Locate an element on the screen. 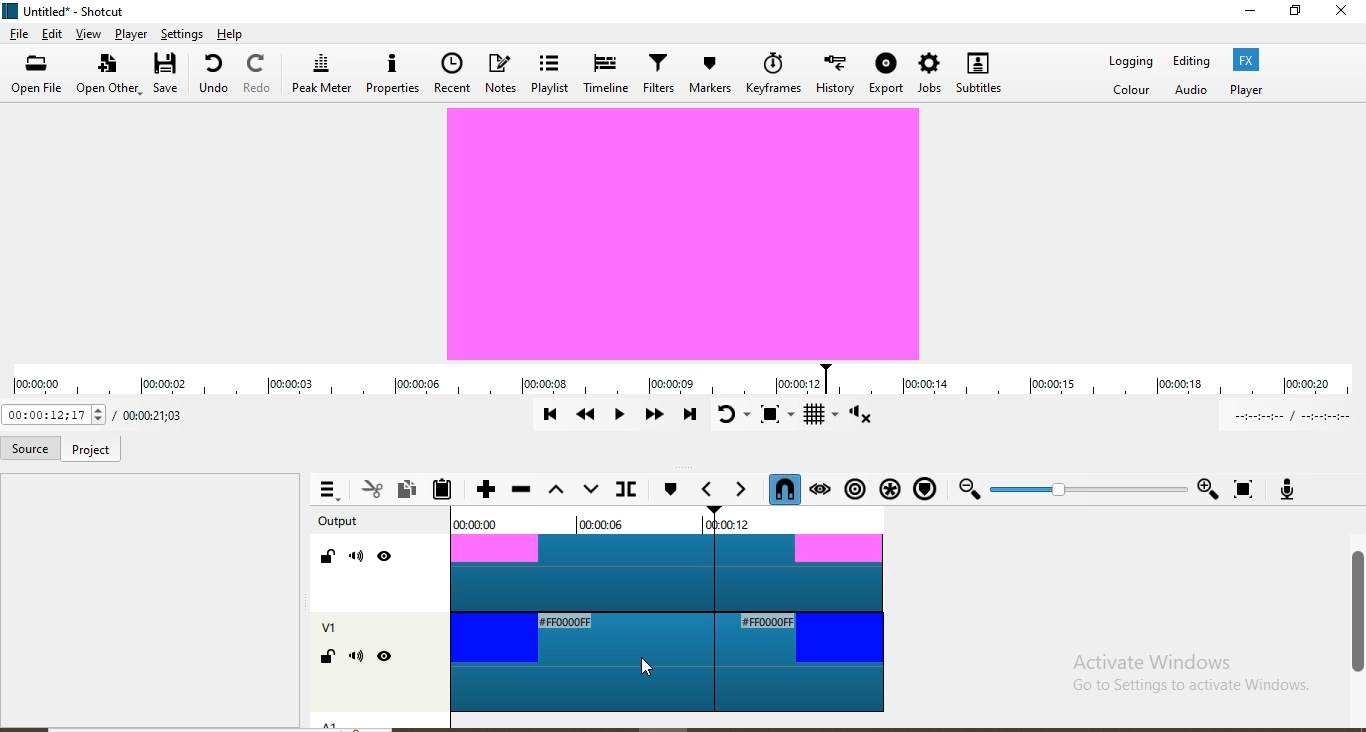 The image size is (1366, 732). Mute is located at coordinates (358, 655).